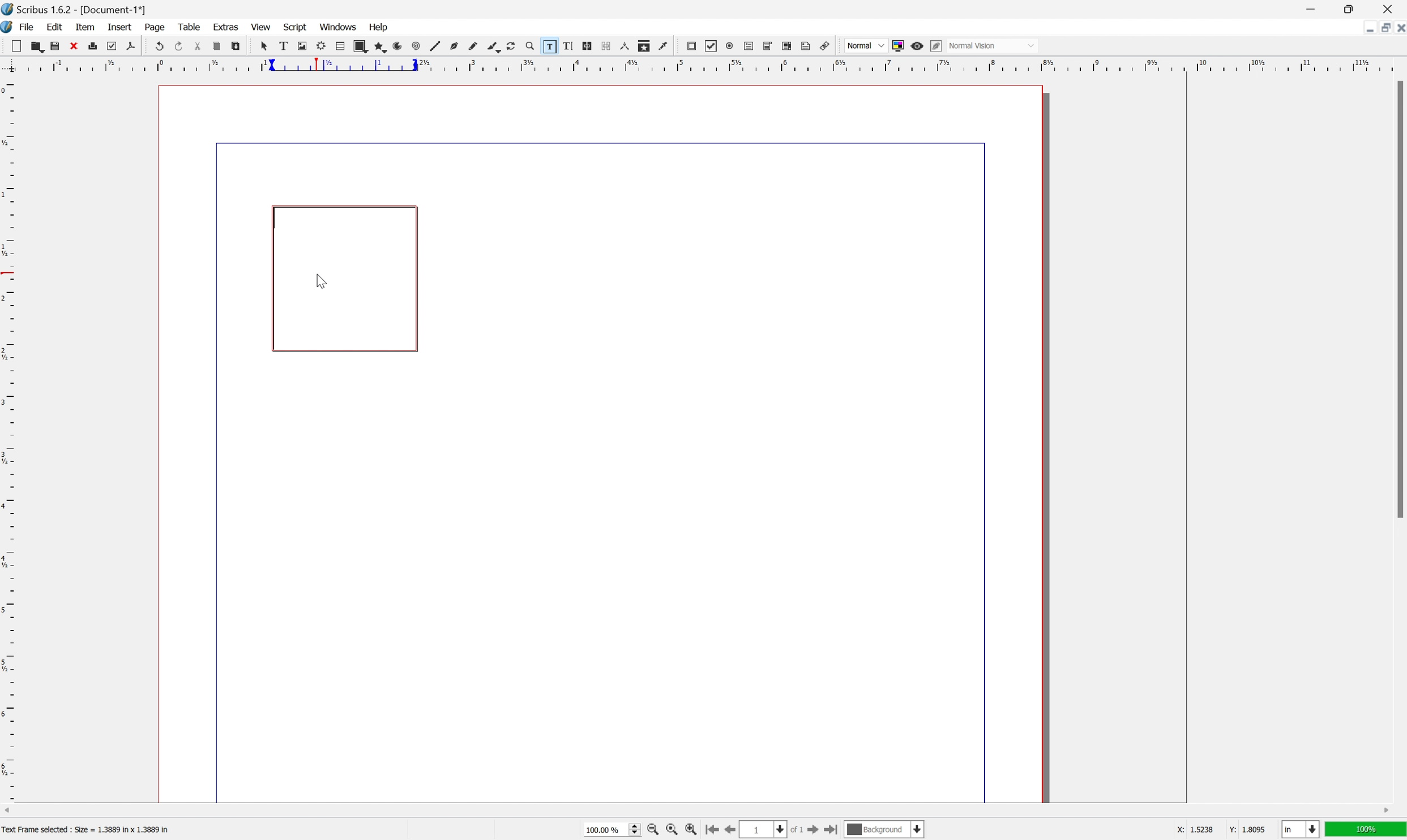  Describe the element at coordinates (885, 830) in the screenshot. I see `select current layer` at that location.